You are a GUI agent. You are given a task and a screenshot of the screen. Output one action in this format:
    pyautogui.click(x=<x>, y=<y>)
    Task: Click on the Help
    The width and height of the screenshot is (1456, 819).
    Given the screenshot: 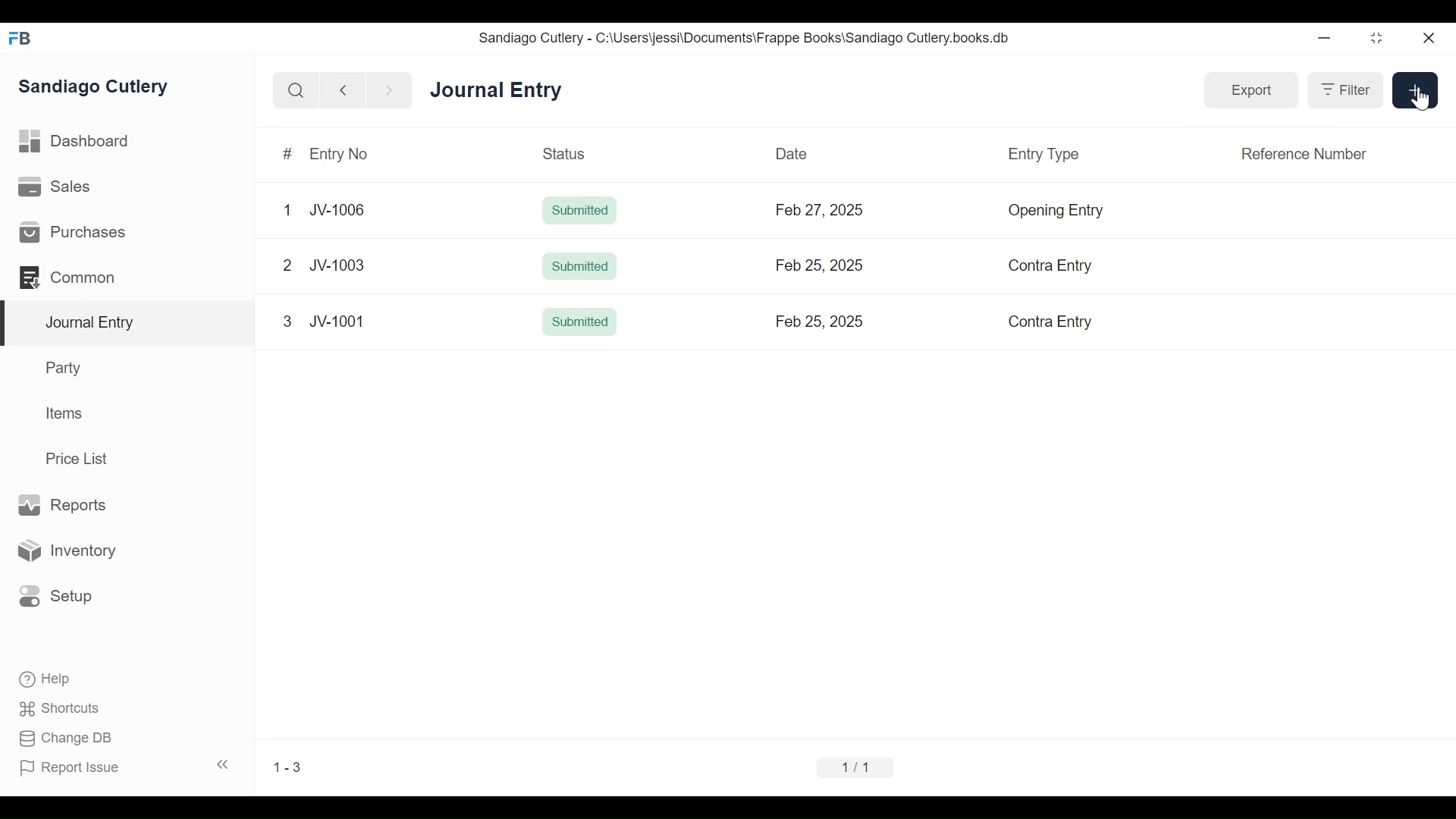 What is the action you would take?
    pyautogui.click(x=38, y=680)
    